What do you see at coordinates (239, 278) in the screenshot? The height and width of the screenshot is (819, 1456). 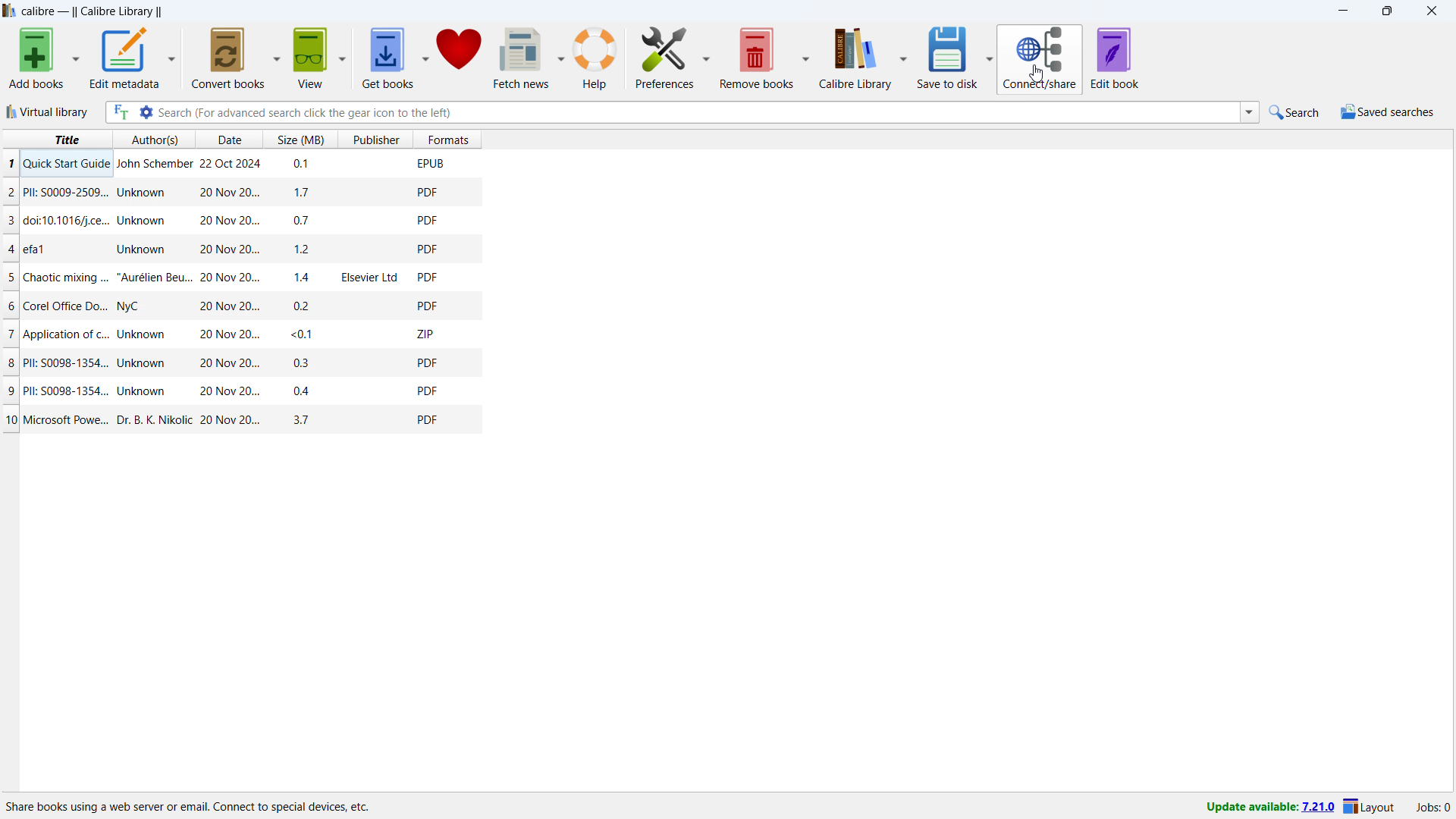 I see `one book entry` at bounding box center [239, 278].